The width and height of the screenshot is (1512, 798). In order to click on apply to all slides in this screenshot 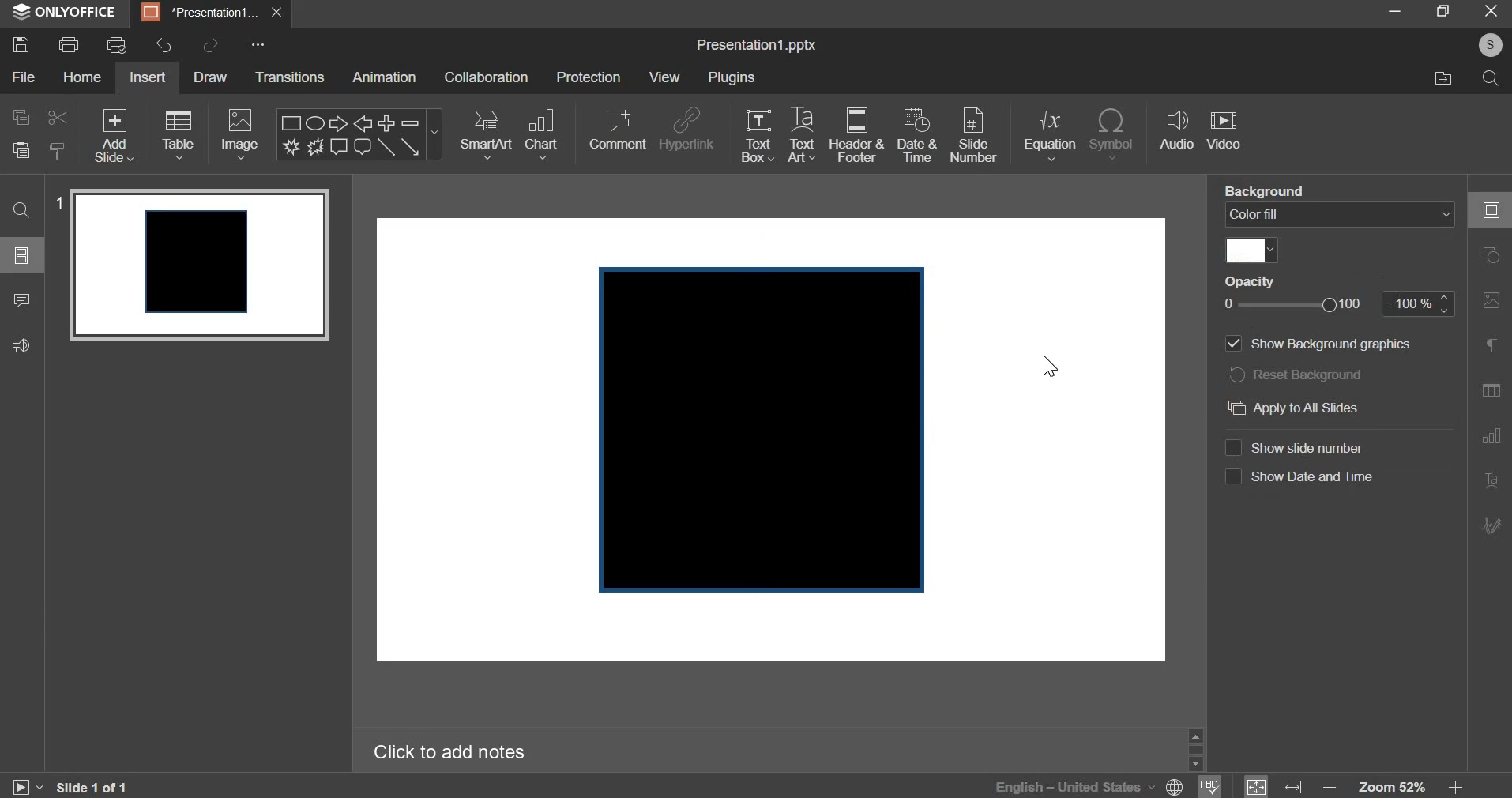, I will do `click(1296, 408)`.